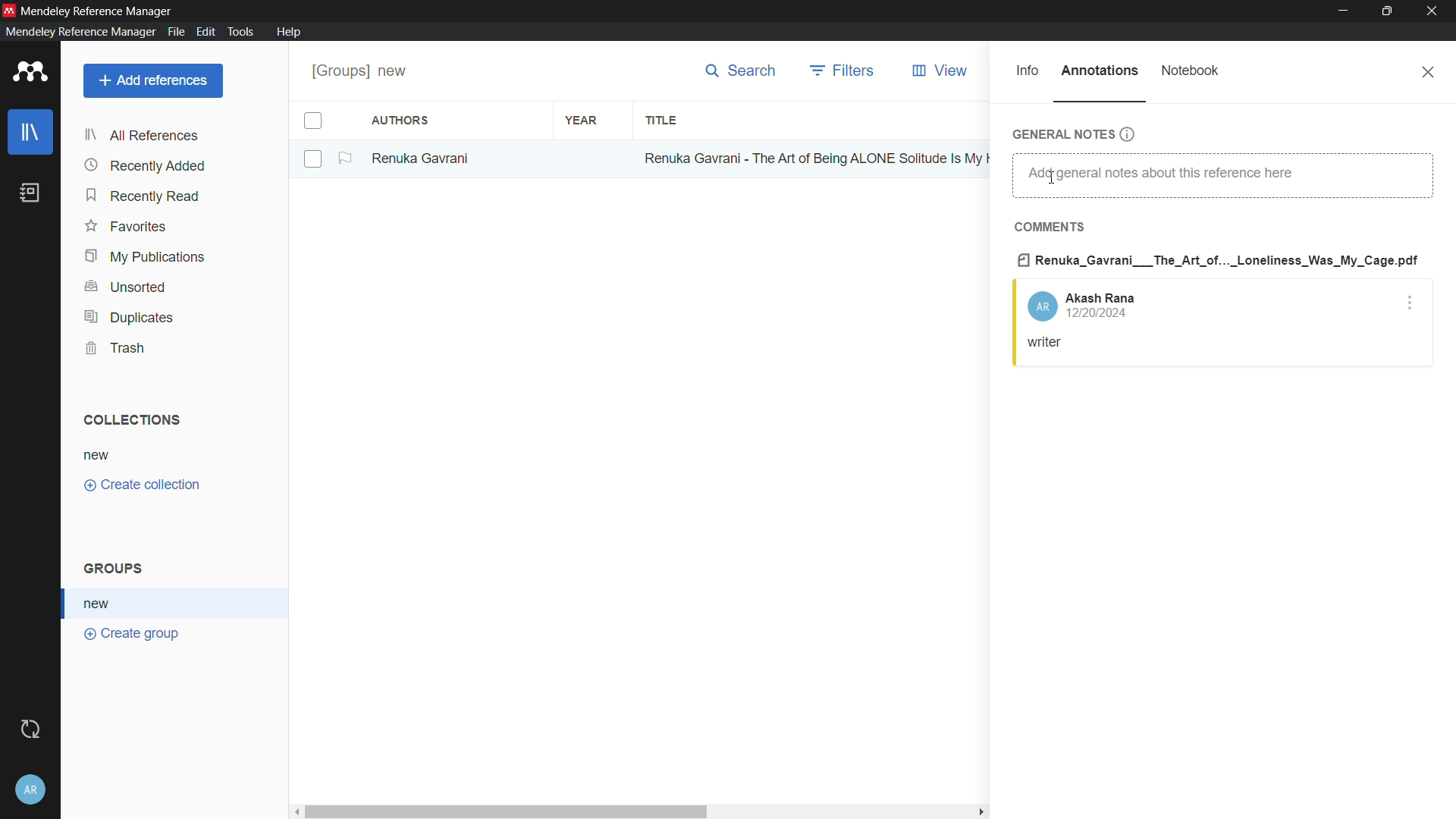 The height and width of the screenshot is (819, 1456). What do you see at coordinates (814, 157) in the screenshot?
I see `Renuka Gavrani-The Art of Being ALONE Solitude Is My HOME, Loneliness W...` at bounding box center [814, 157].